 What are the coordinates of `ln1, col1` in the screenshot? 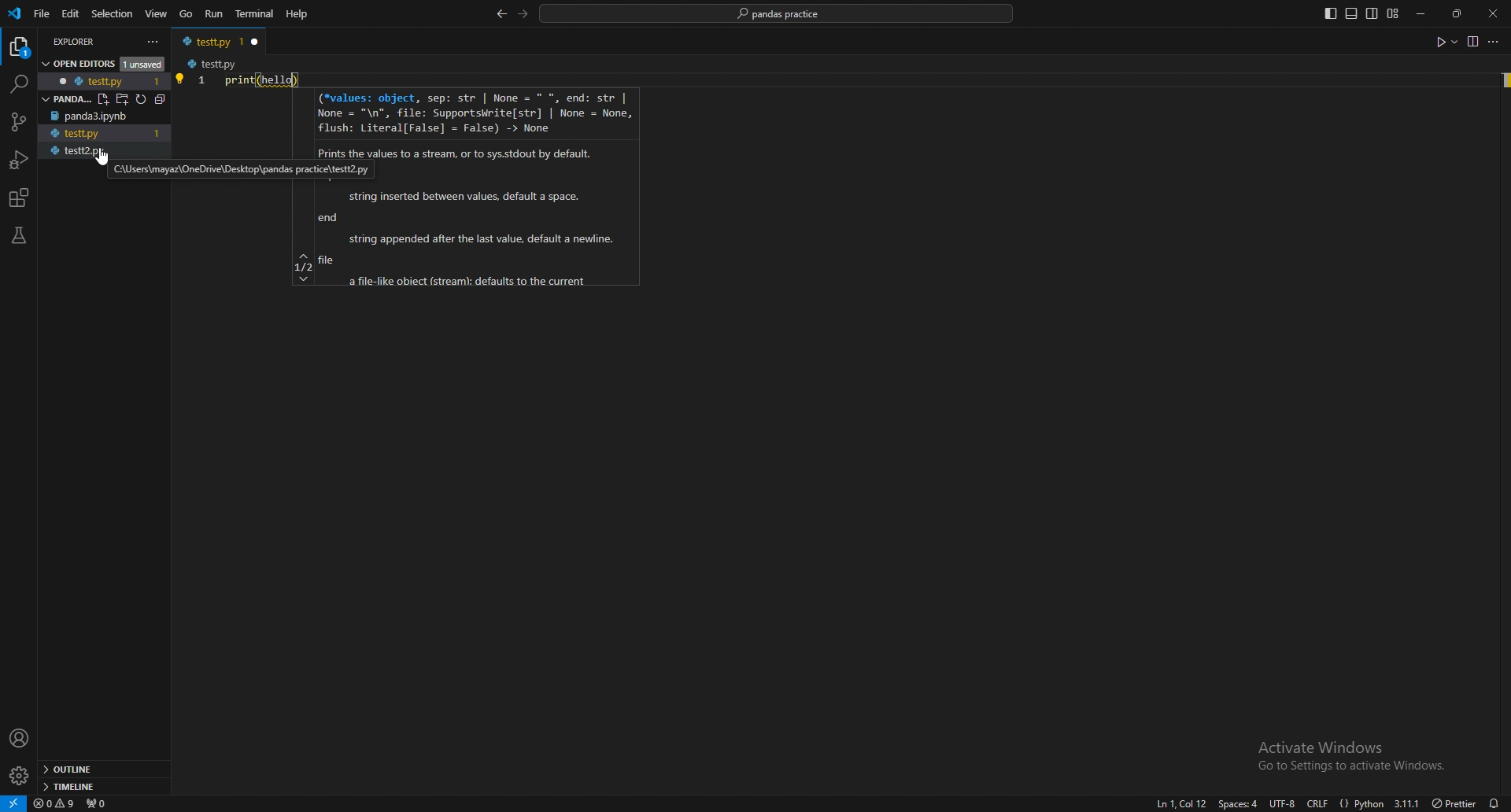 It's located at (1177, 804).